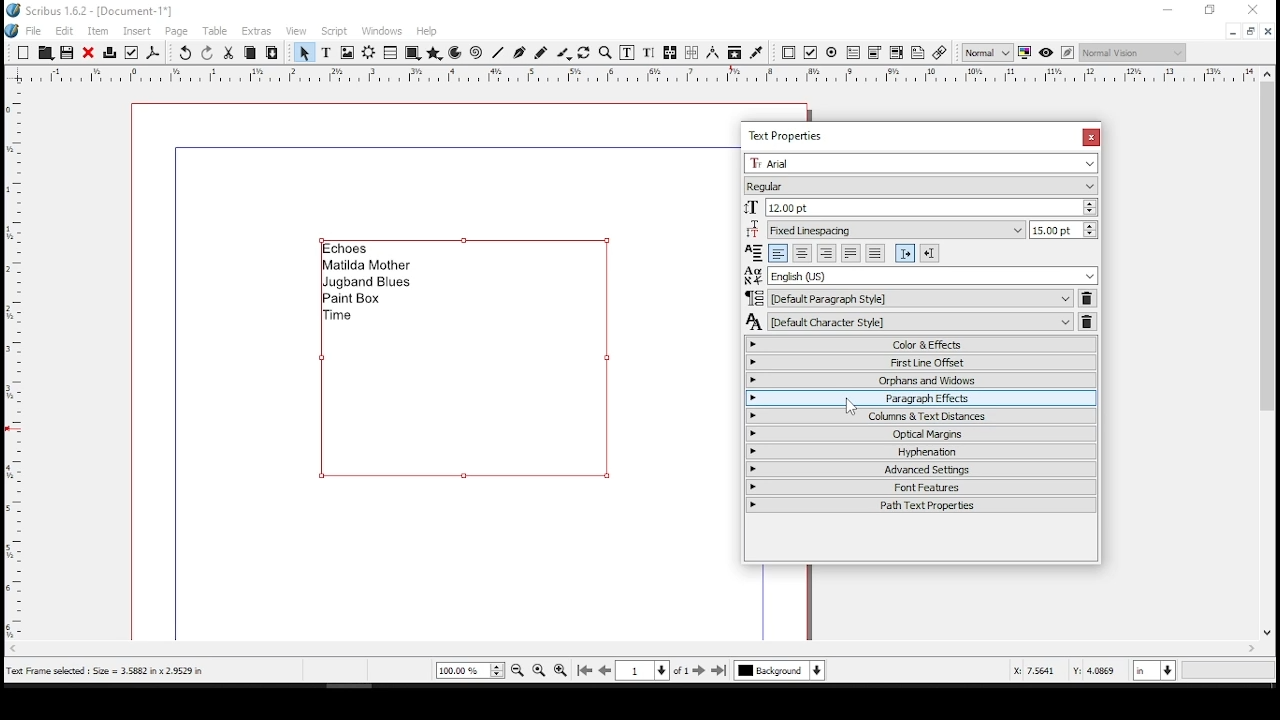 The image size is (1280, 720). I want to click on paragraph style, so click(910, 298).